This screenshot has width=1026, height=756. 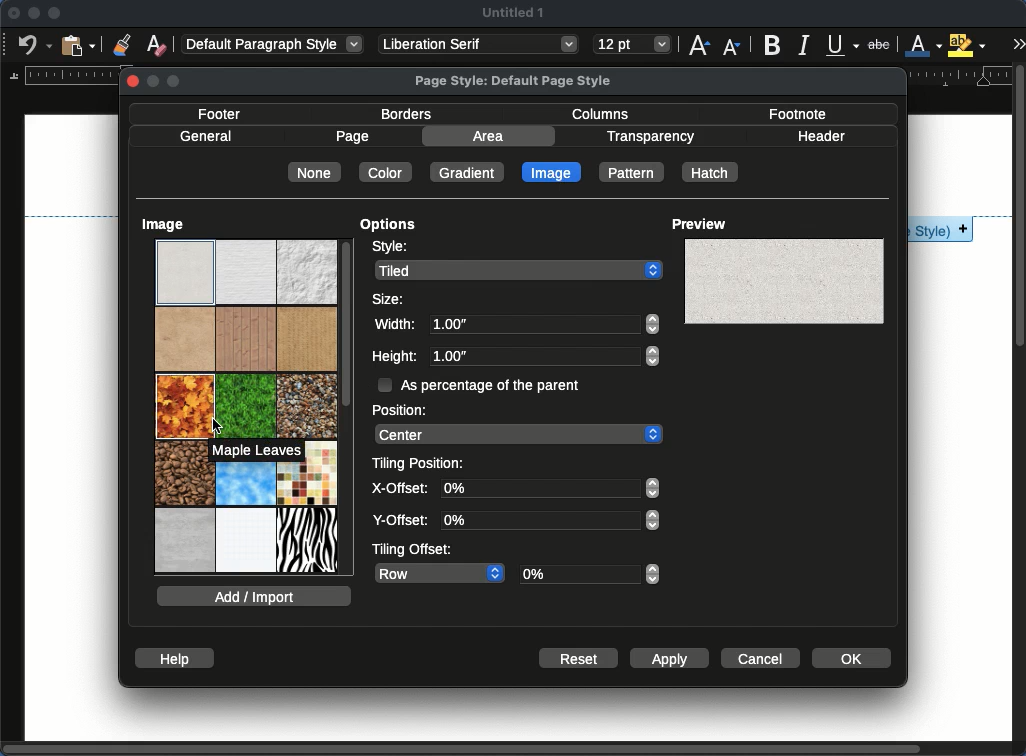 I want to click on height:, so click(x=393, y=357).